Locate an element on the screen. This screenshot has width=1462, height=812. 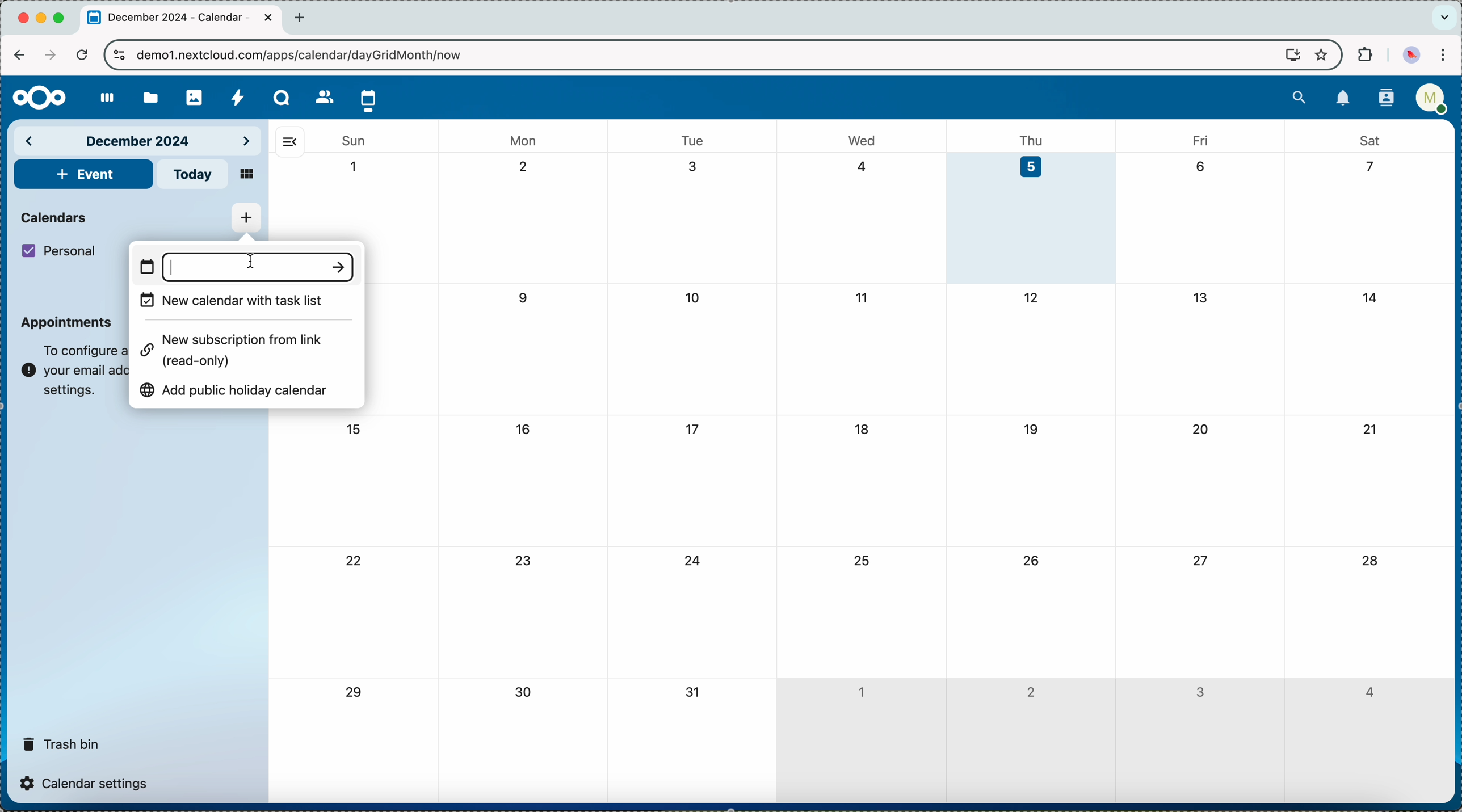
24 is located at coordinates (694, 562).